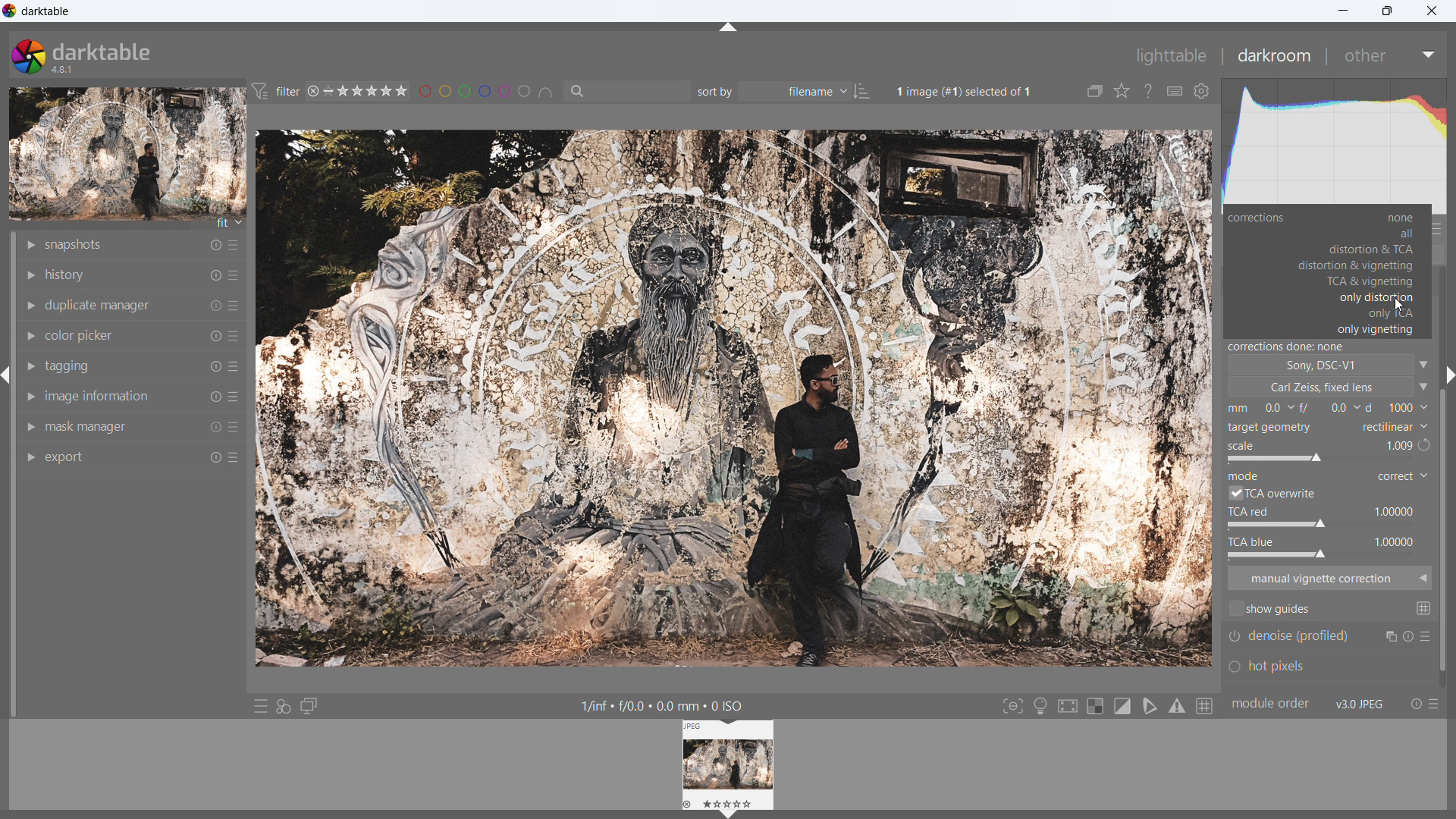  Describe the element at coordinates (1172, 55) in the screenshot. I see `lighttable` at that location.